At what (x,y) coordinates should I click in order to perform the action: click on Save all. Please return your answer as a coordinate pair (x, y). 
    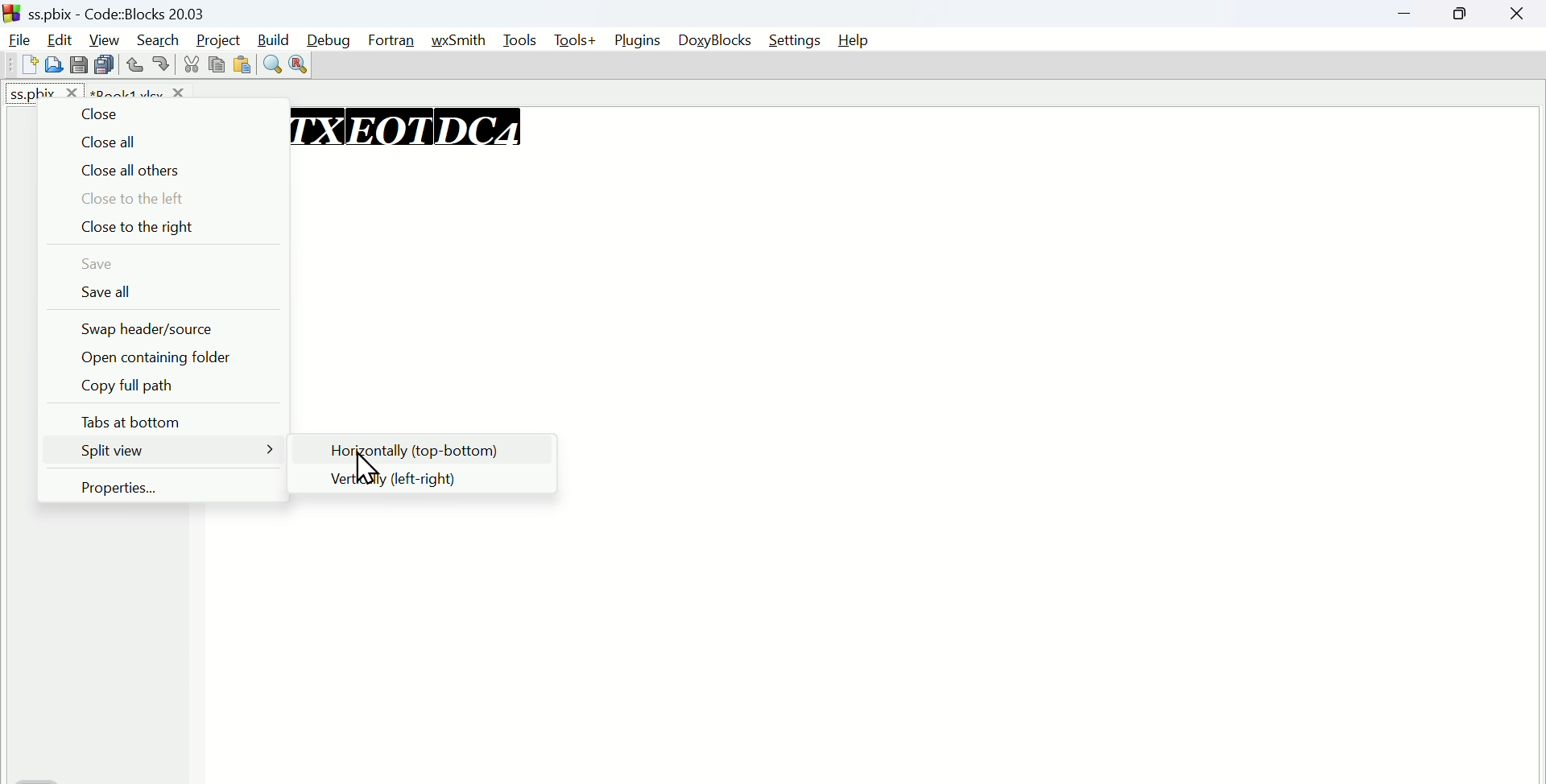
    Looking at the image, I should click on (164, 291).